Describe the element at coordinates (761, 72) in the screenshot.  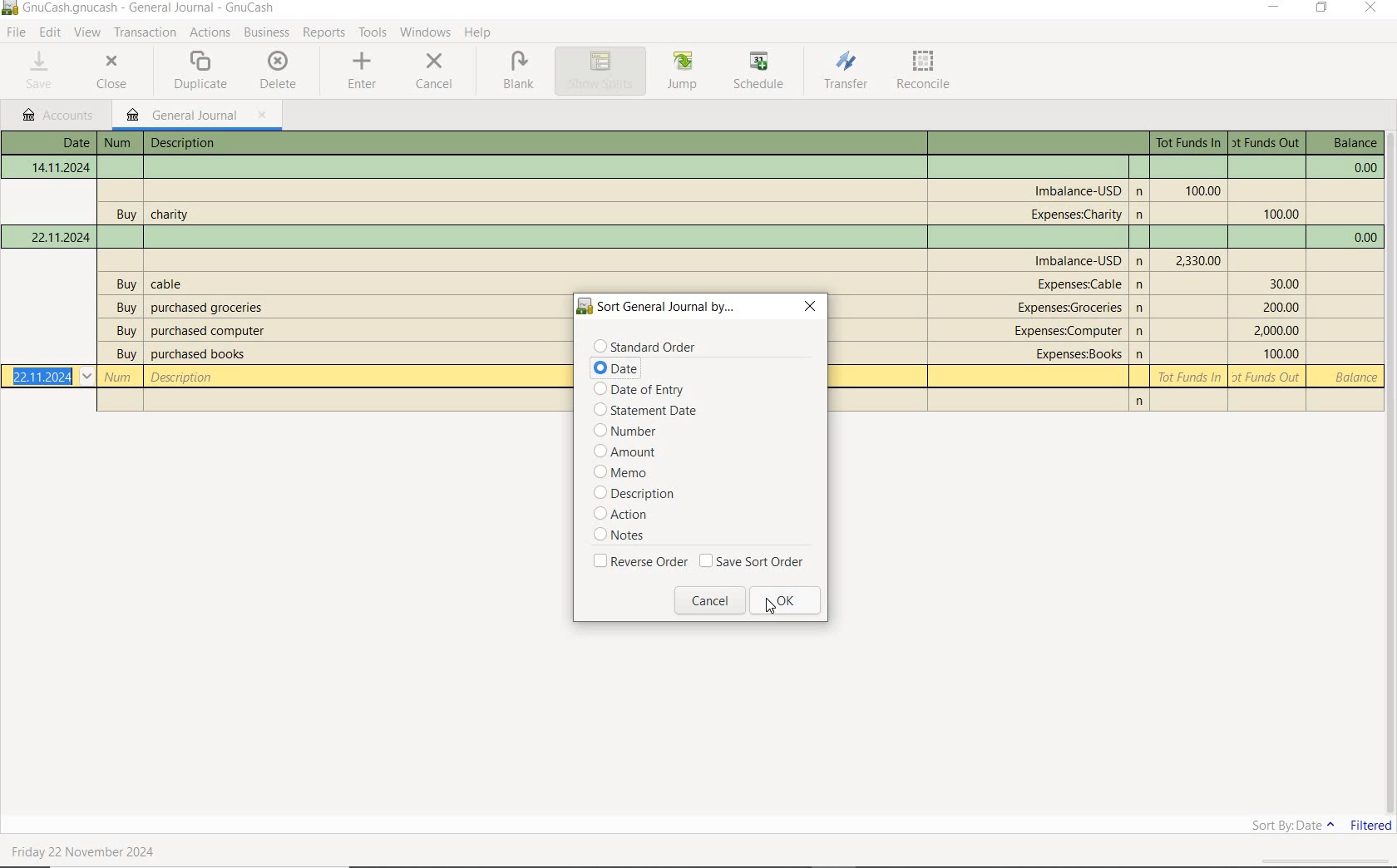
I see `SCHEDULE` at that location.